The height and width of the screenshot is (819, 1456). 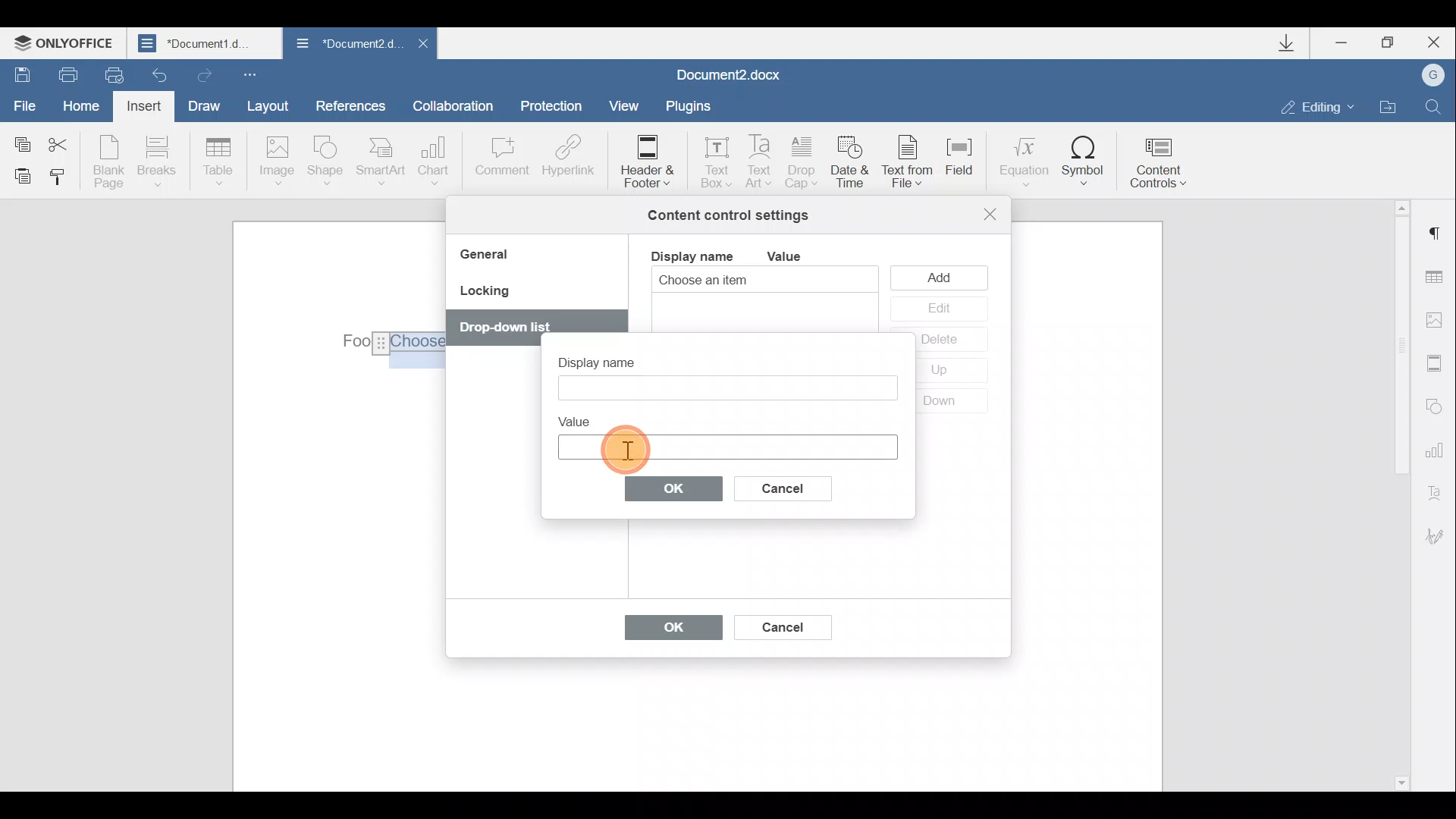 I want to click on Close, so click(x=1432, y=42).